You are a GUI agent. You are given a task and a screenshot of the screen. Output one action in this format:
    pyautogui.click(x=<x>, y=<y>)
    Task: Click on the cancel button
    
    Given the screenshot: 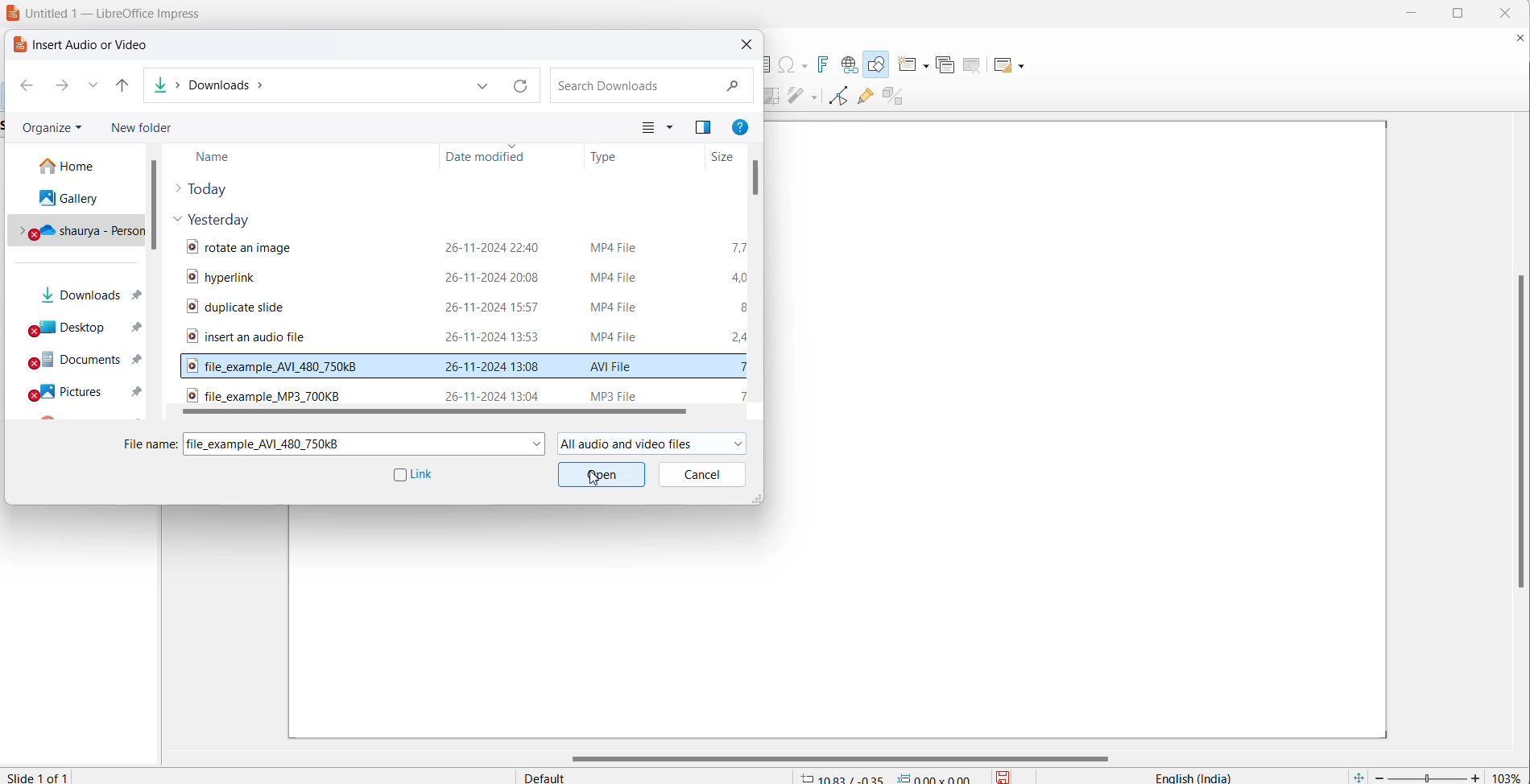 What is the action you would take?
    pyautogui.click(x=701, y=475)
    